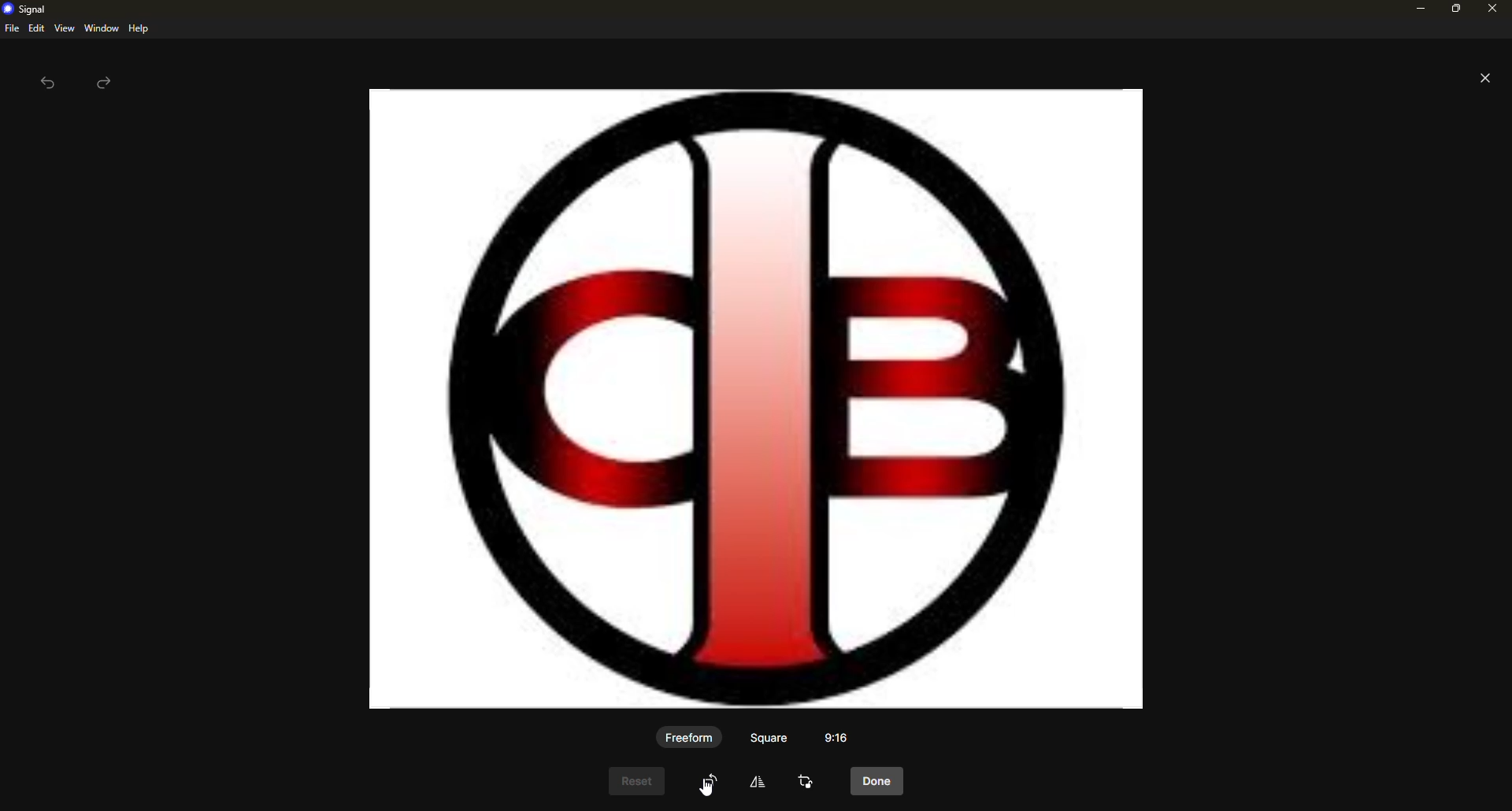 The width and height of the screenshot is (1512, 811). What do you see at coordinates (1494, 8) in the screenshot?
I see `close` at bounding box center [1494, 8].